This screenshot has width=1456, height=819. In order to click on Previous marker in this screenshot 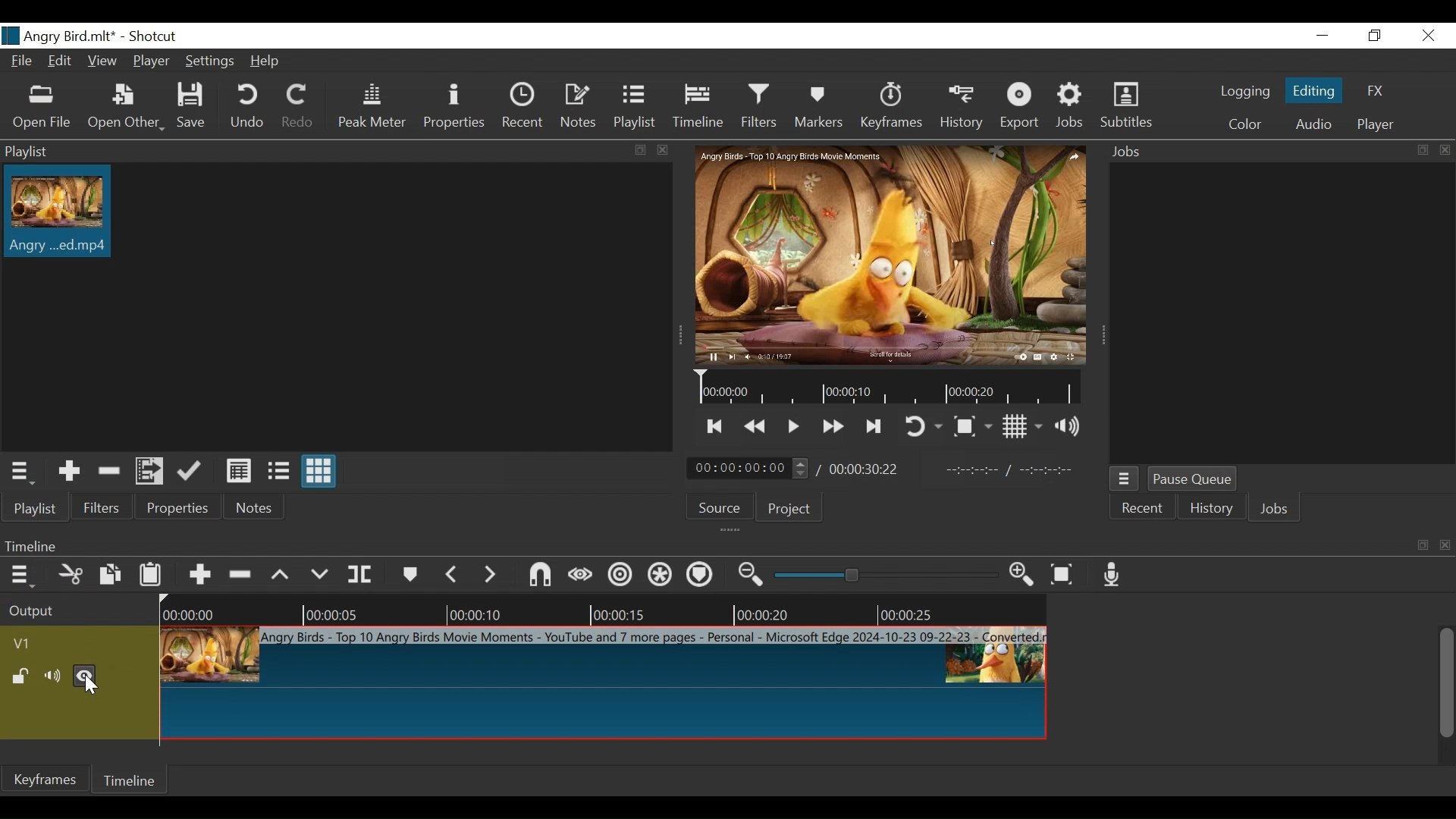, I will do `click(452, 574)`.